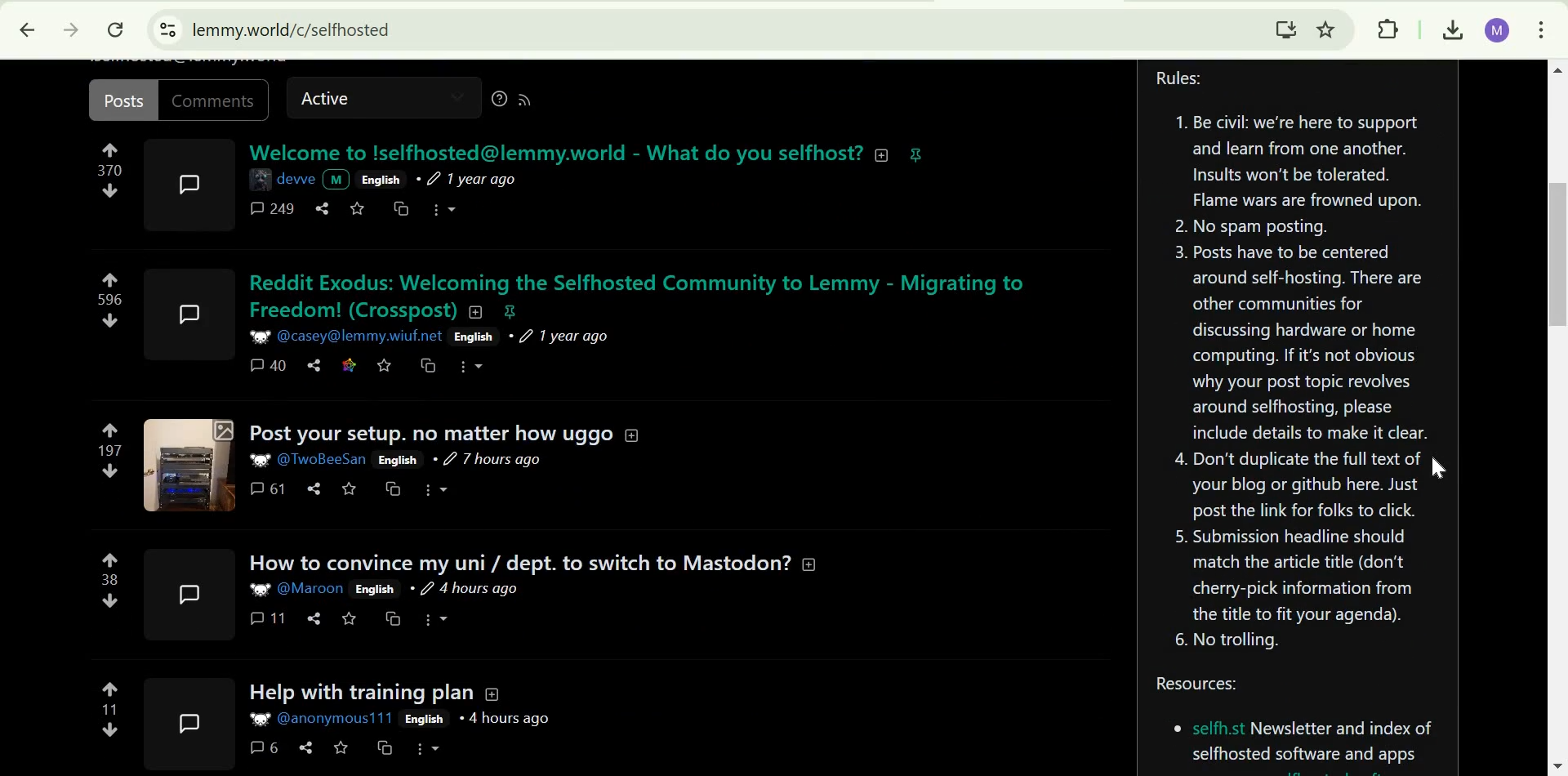 Image resolution: width=1568 pixels, height=776 pixels. I want to click on Click ti go forward, hold to see history, so click(71, 29).